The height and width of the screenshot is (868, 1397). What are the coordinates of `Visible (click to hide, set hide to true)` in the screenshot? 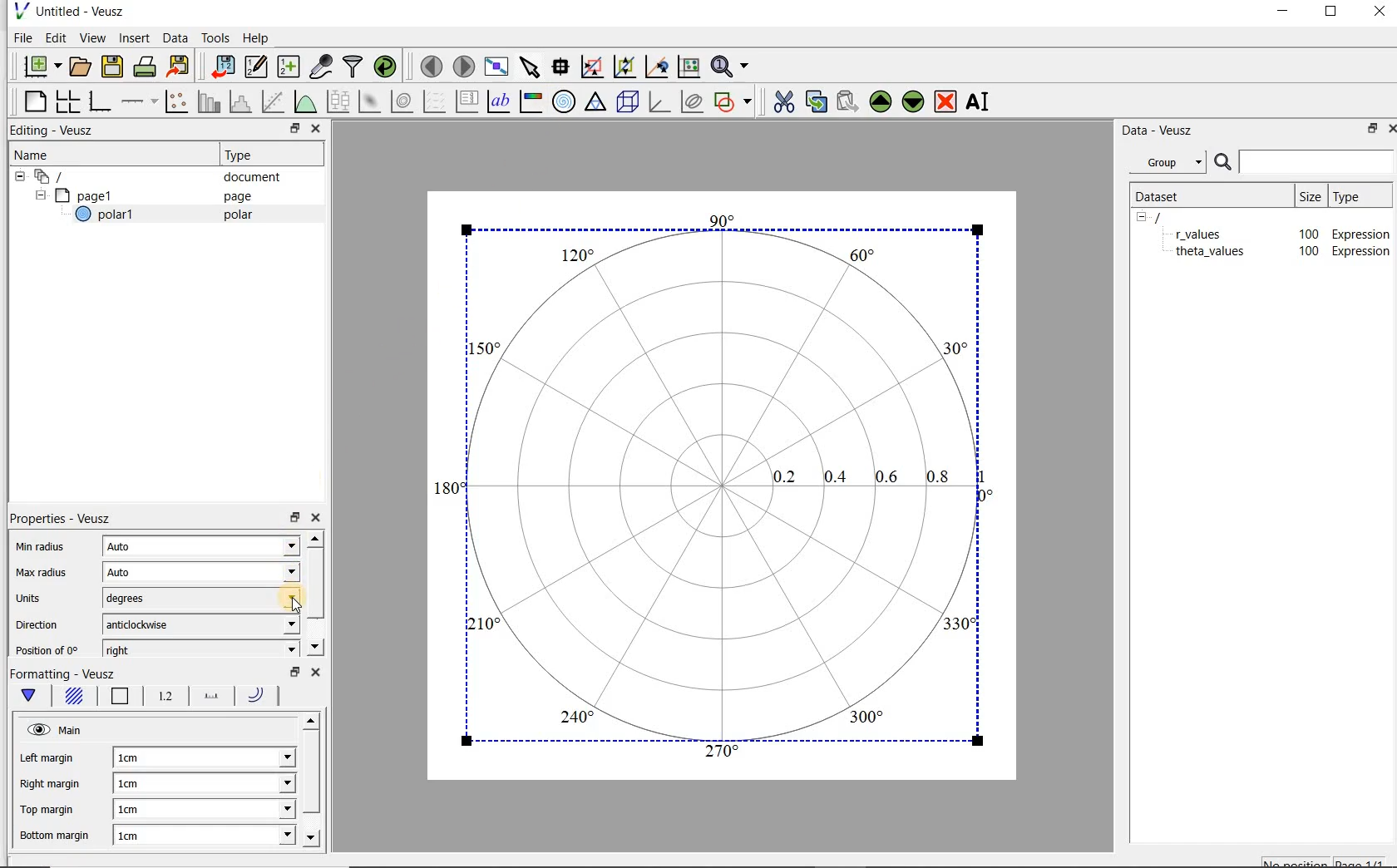 It's located at (37, 726).